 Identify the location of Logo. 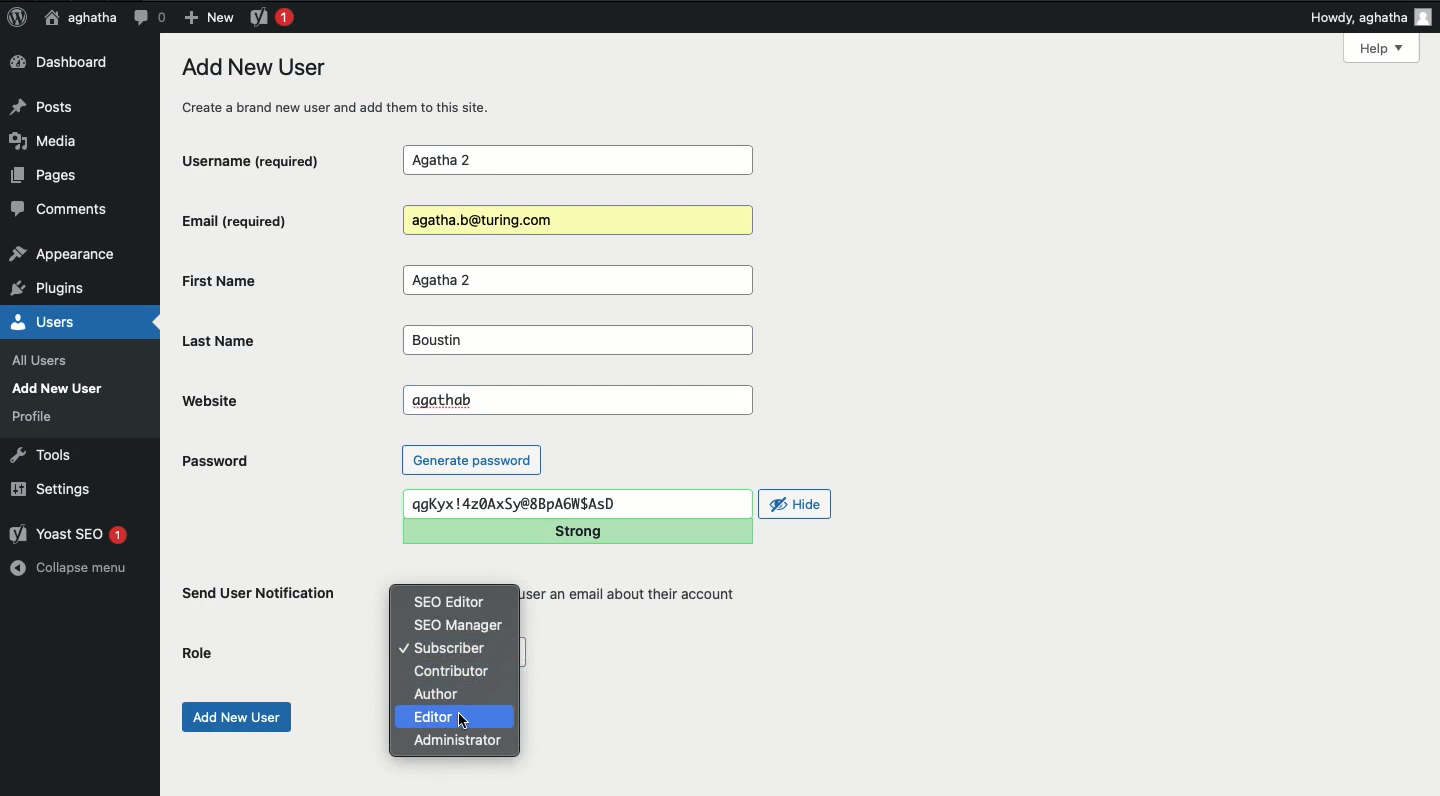
(17, 18).